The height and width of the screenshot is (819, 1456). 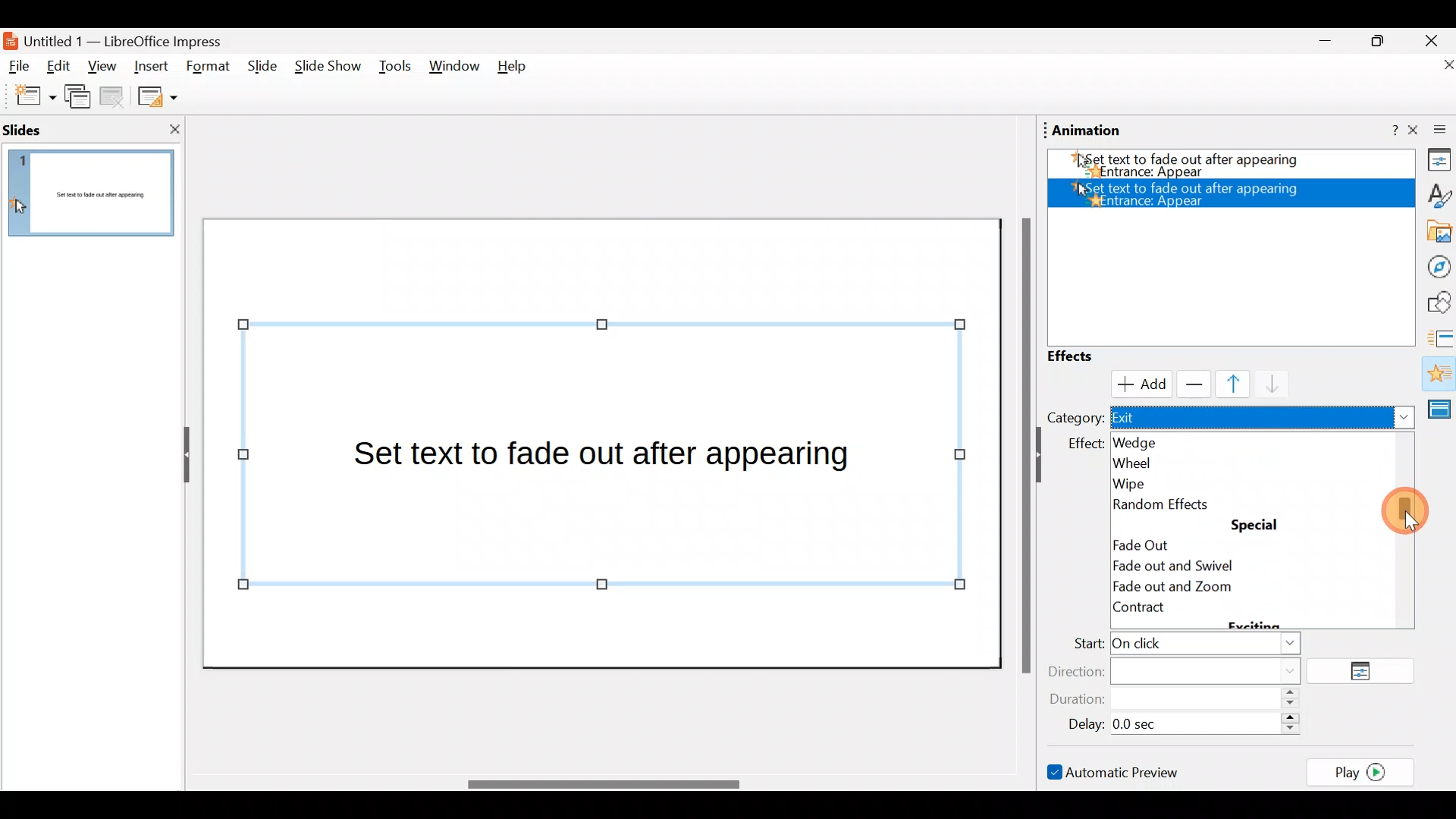 I want to click on Animation, so click(x=1087, y=130).